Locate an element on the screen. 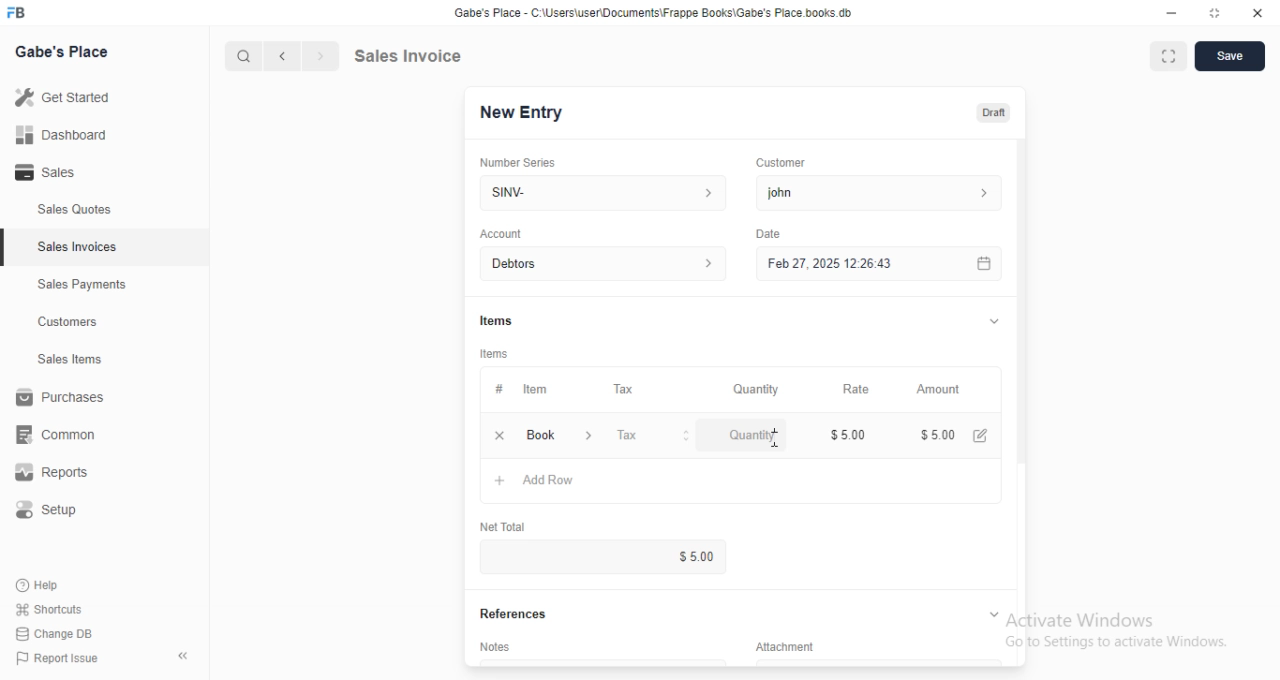  Change DB is located at coordinates (57, 634).